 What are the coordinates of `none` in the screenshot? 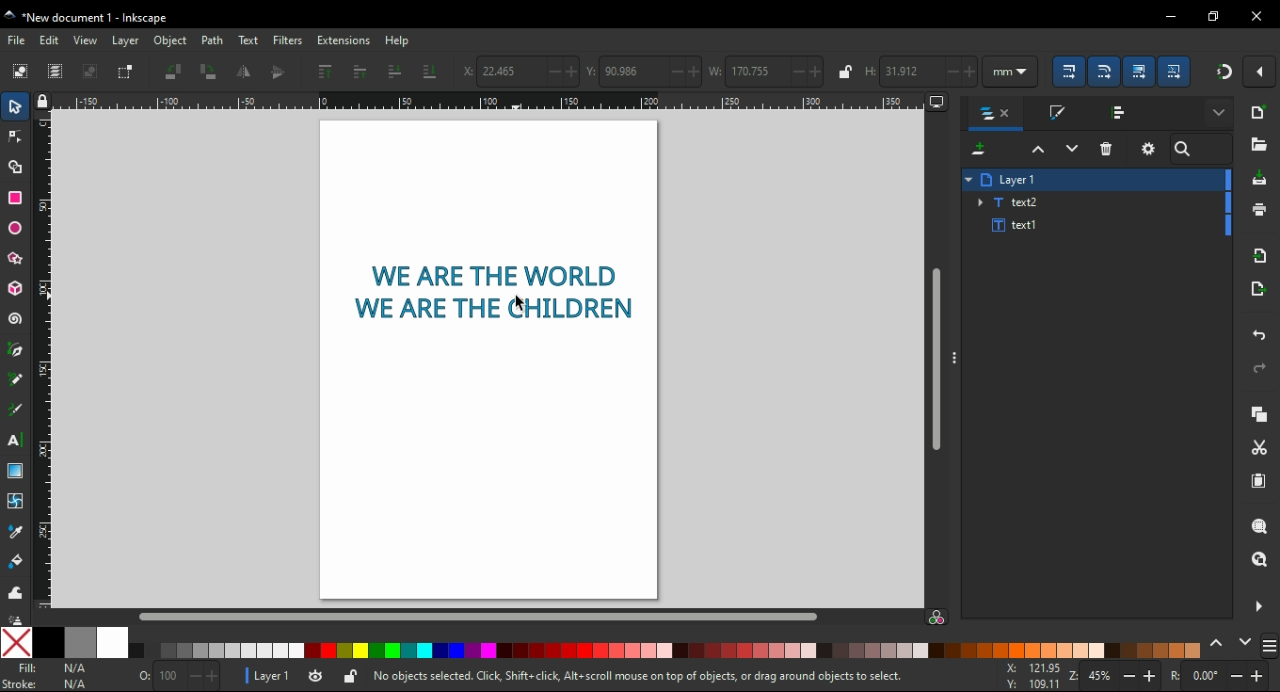 It's located at (15, 643).